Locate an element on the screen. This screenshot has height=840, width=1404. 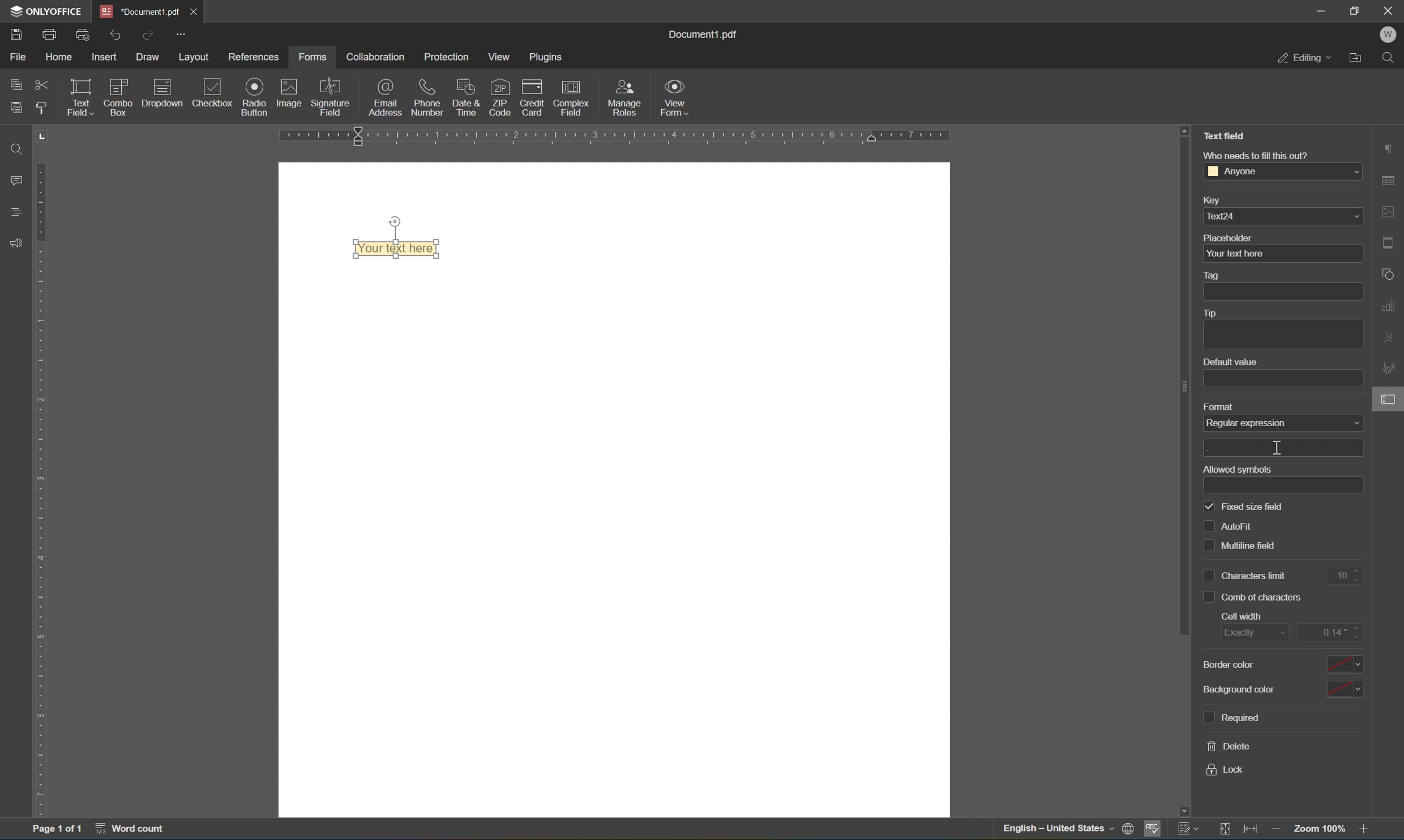
complex field is located at coordinates (570, 98).